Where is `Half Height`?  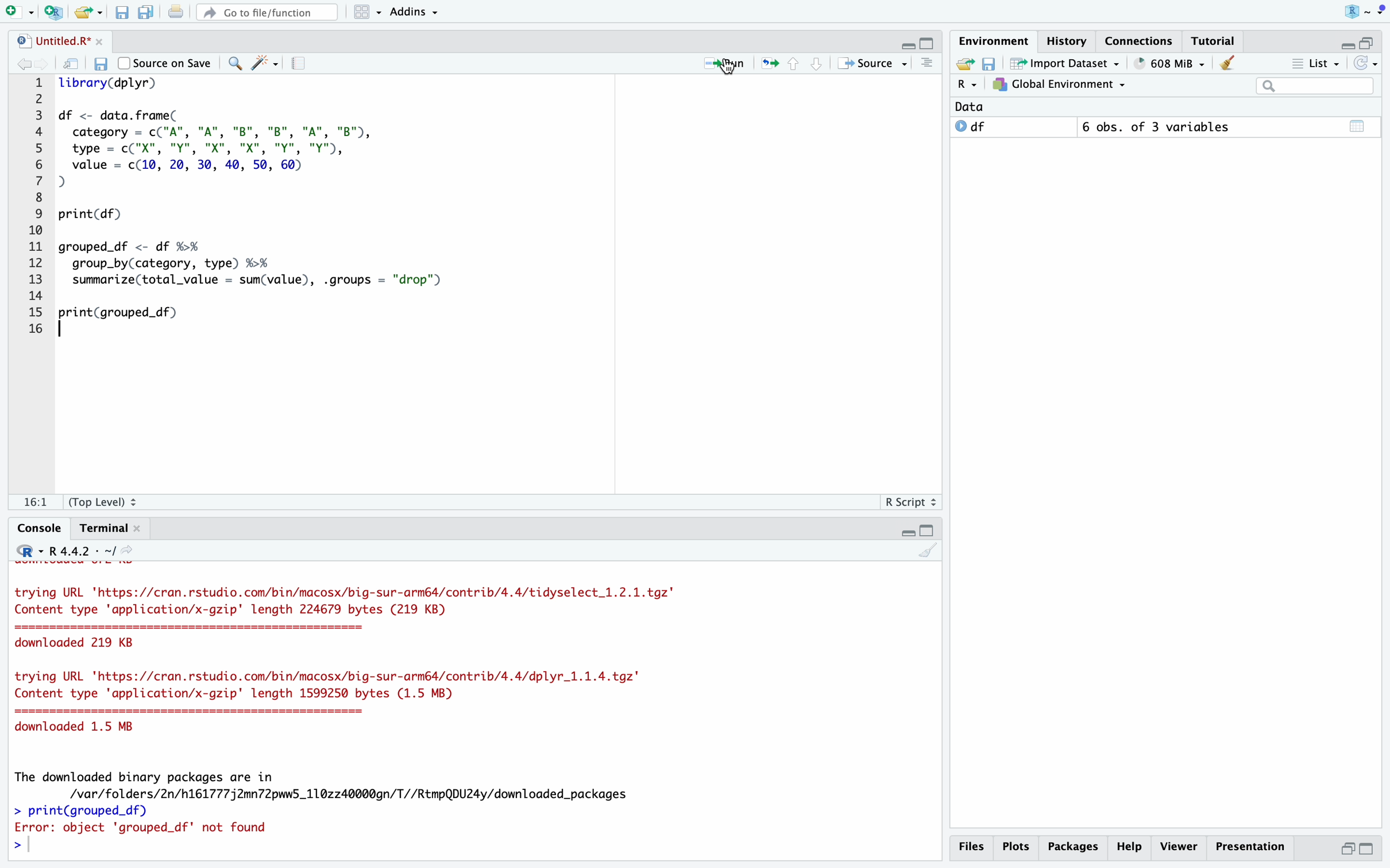 Half Height is located at coordinates (1370, 42).